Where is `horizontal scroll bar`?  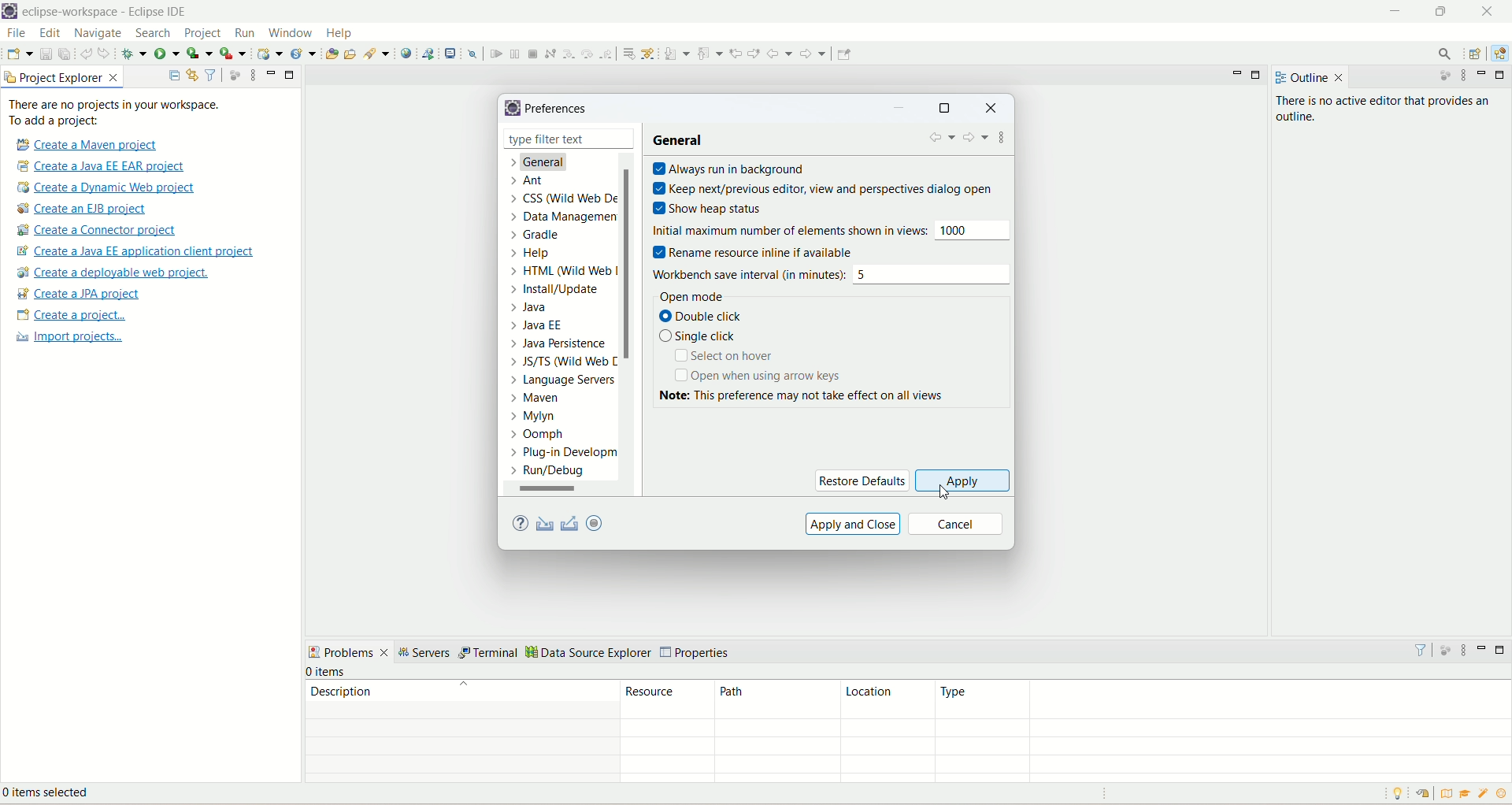
horizontal scroll bar is located at coordinates (559, 489).